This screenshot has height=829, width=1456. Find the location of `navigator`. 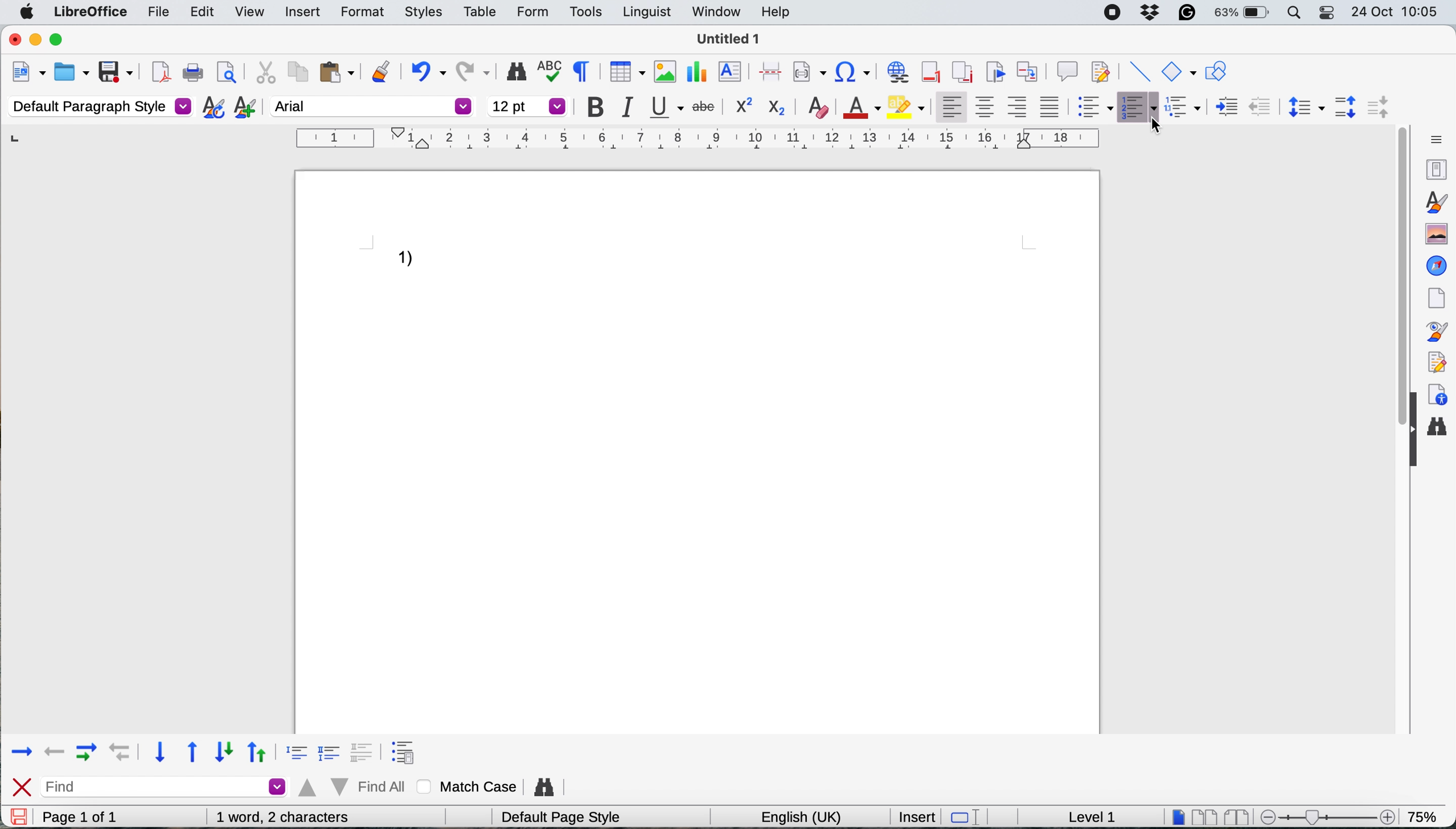

navigator is located at coordinates (1437, 265).